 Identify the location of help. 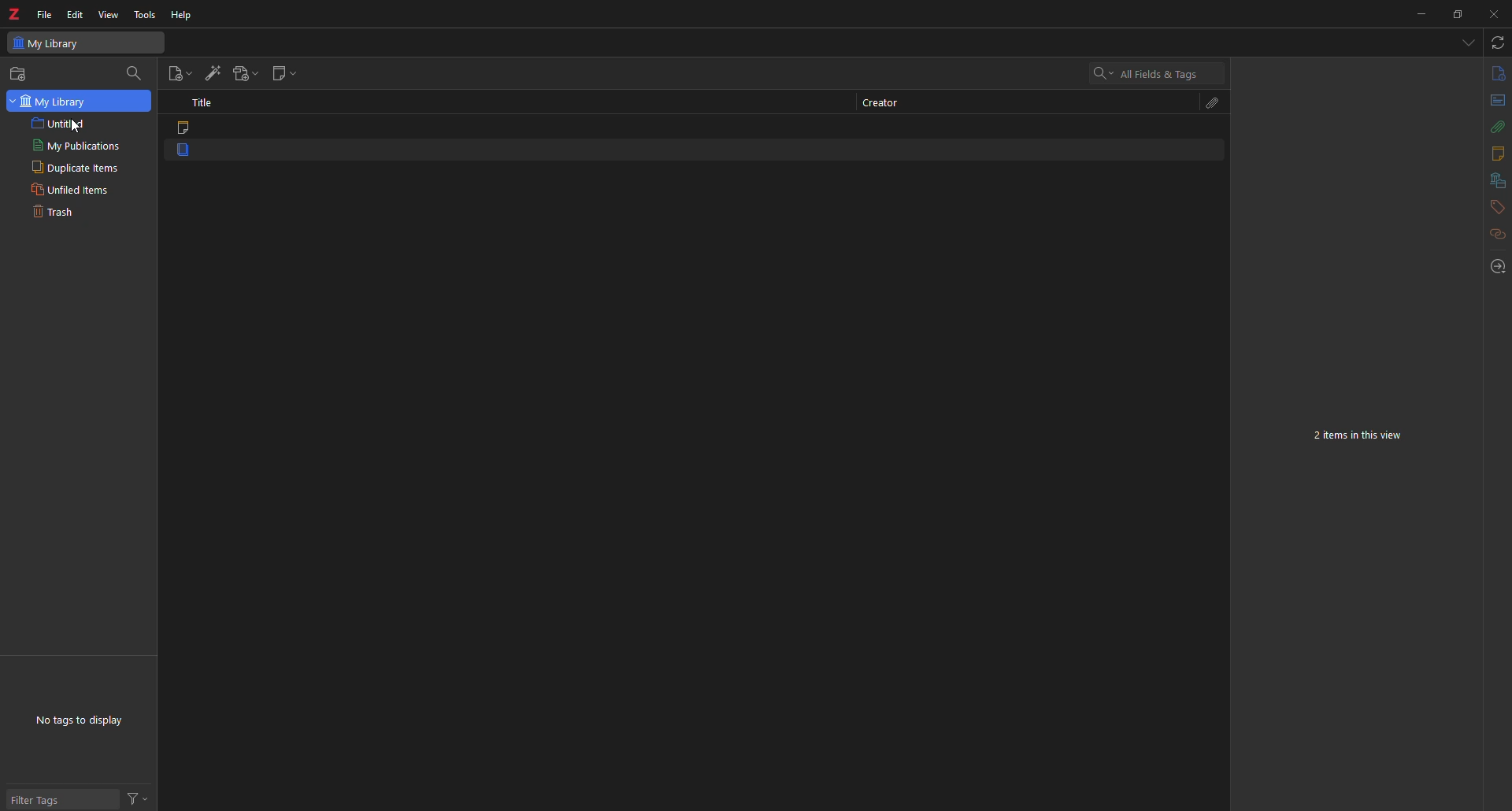
(185, 14).